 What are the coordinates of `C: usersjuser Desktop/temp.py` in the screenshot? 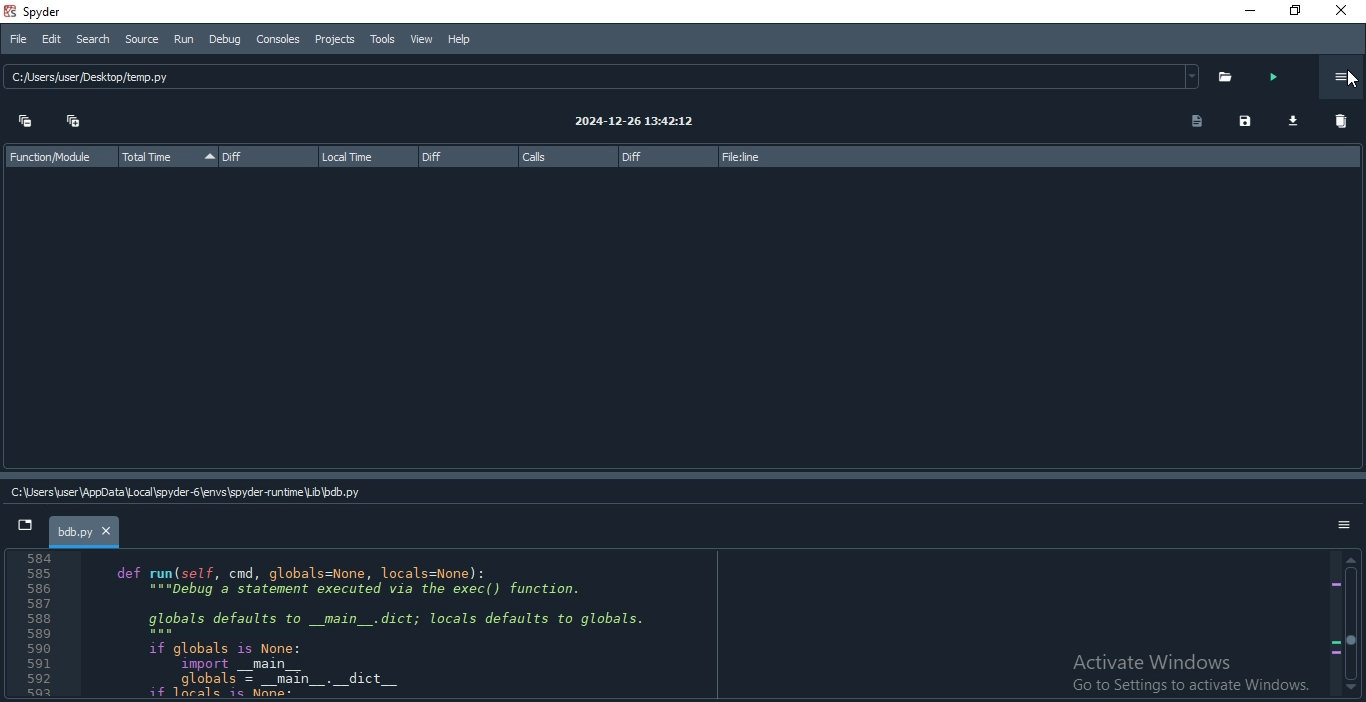 It's located at (600, 77).